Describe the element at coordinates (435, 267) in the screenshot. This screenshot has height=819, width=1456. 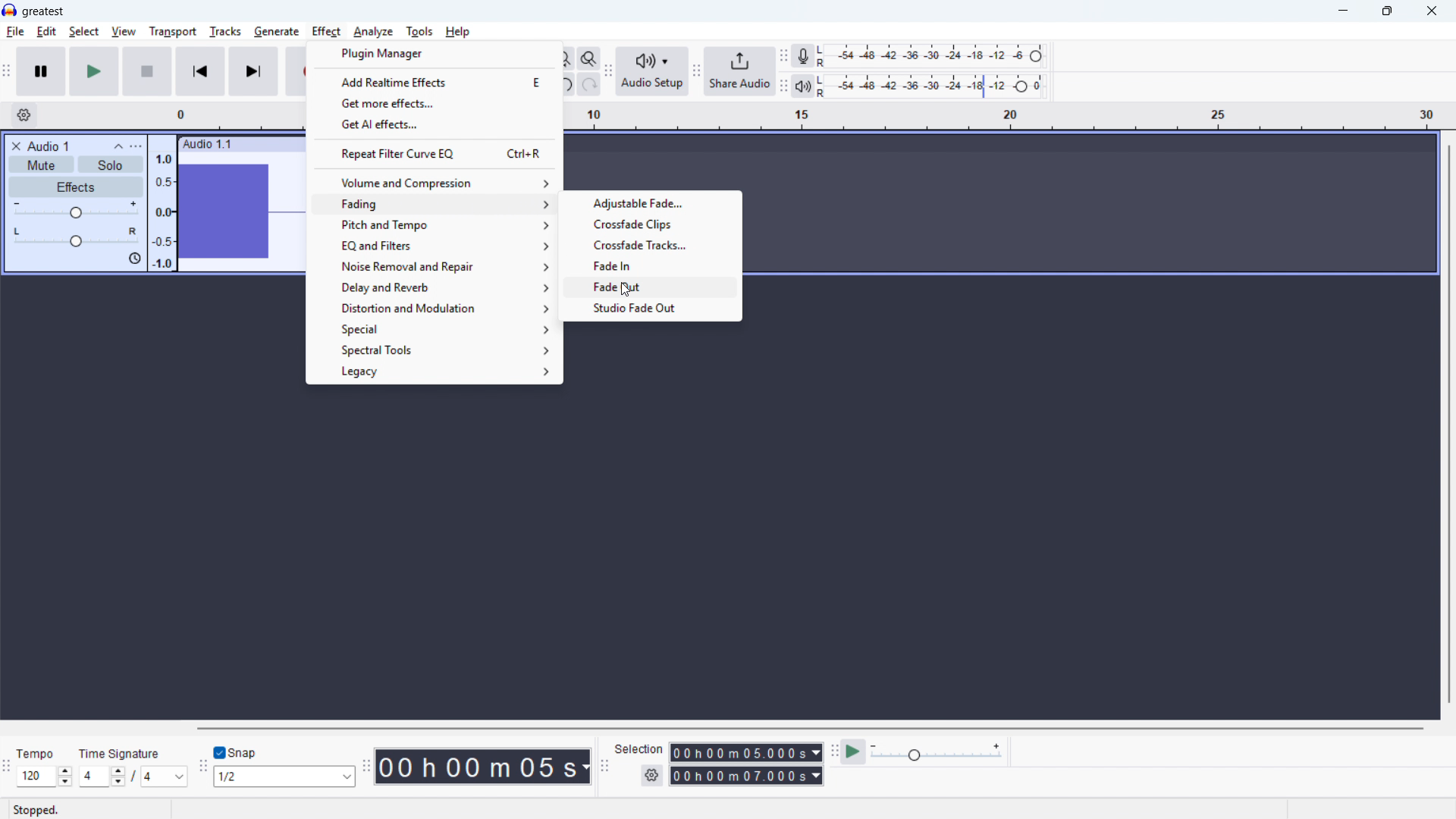
I see `Noise removal and repair ` at that location.